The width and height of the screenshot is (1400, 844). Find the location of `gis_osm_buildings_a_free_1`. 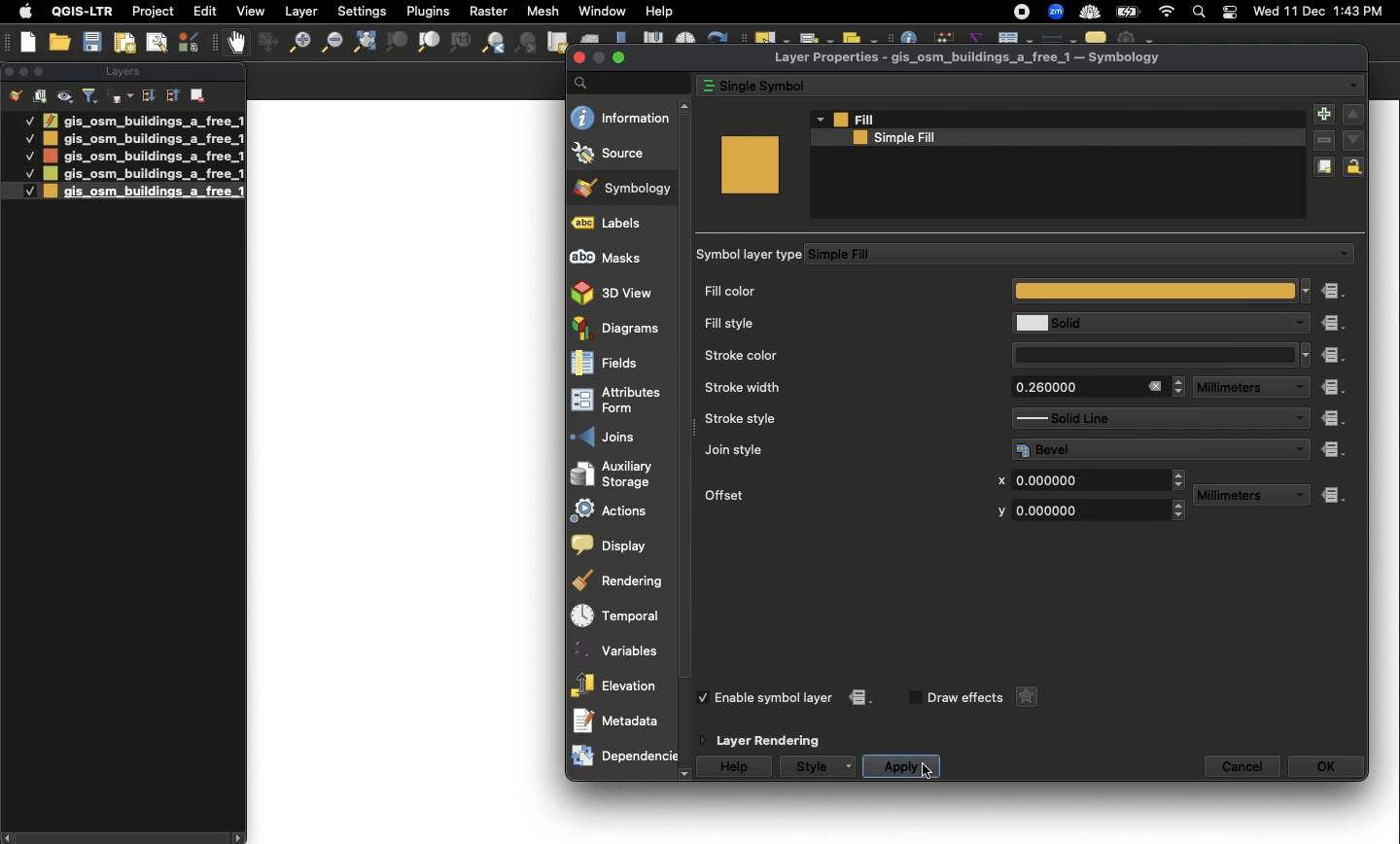

gis_osm_buildings_a_free_1 is located at coordinates (143, 120).